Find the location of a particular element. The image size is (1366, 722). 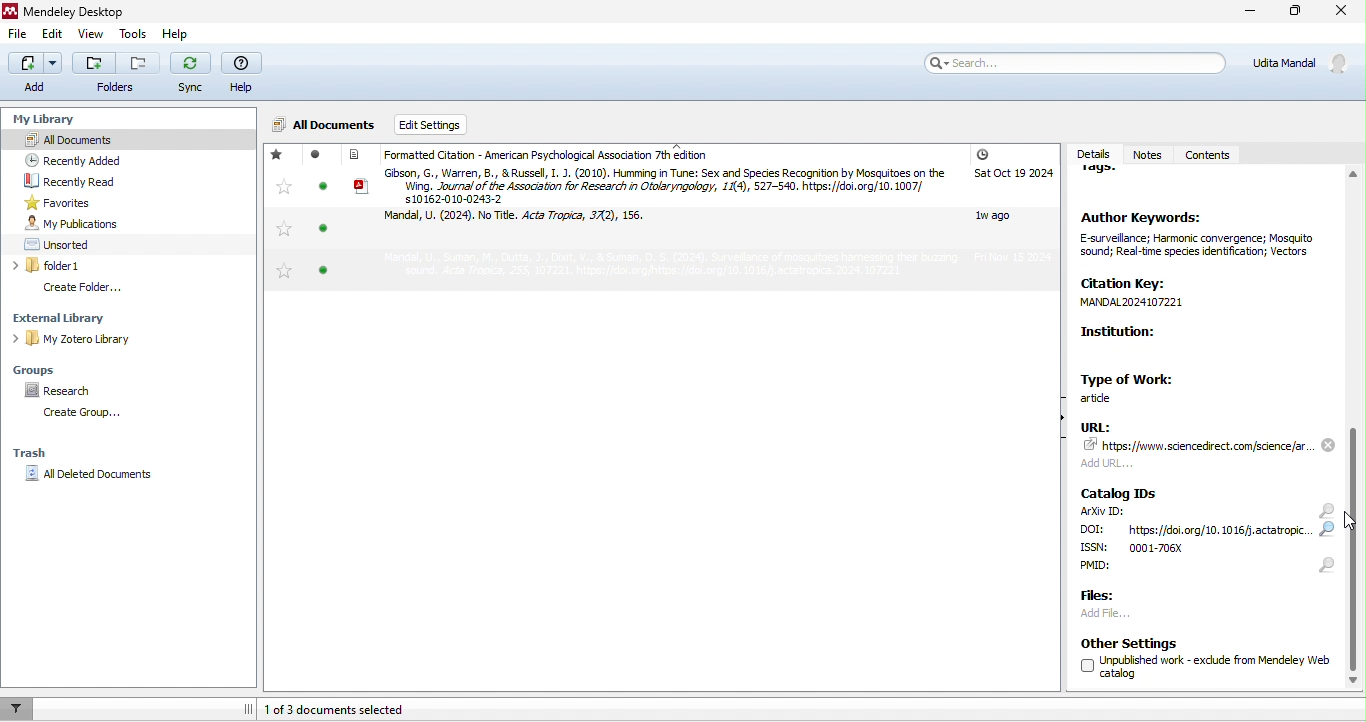

folder1 is located at coordinates (98, 266).